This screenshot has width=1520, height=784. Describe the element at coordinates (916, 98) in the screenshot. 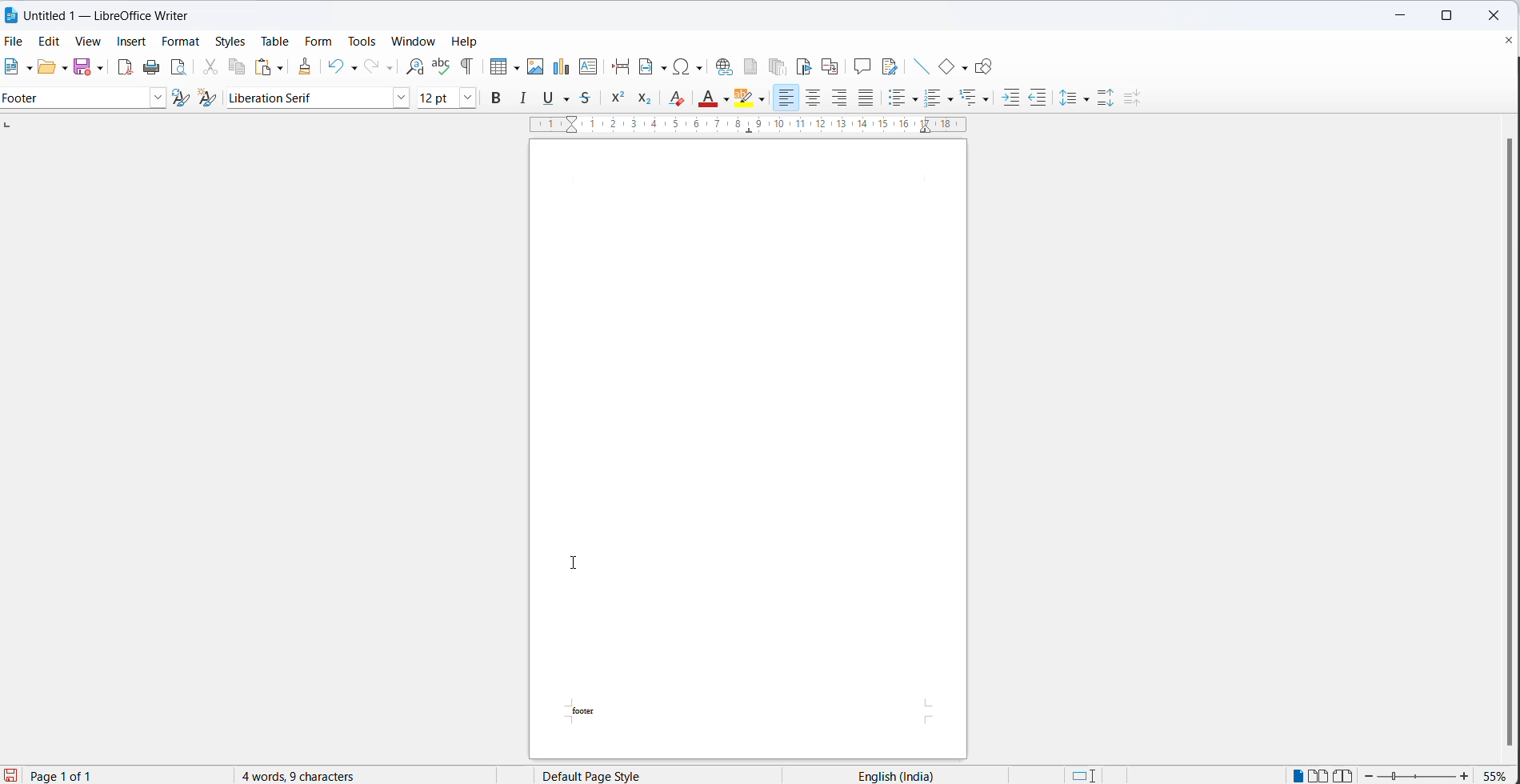

I see `toggle unordered list options` at that location.